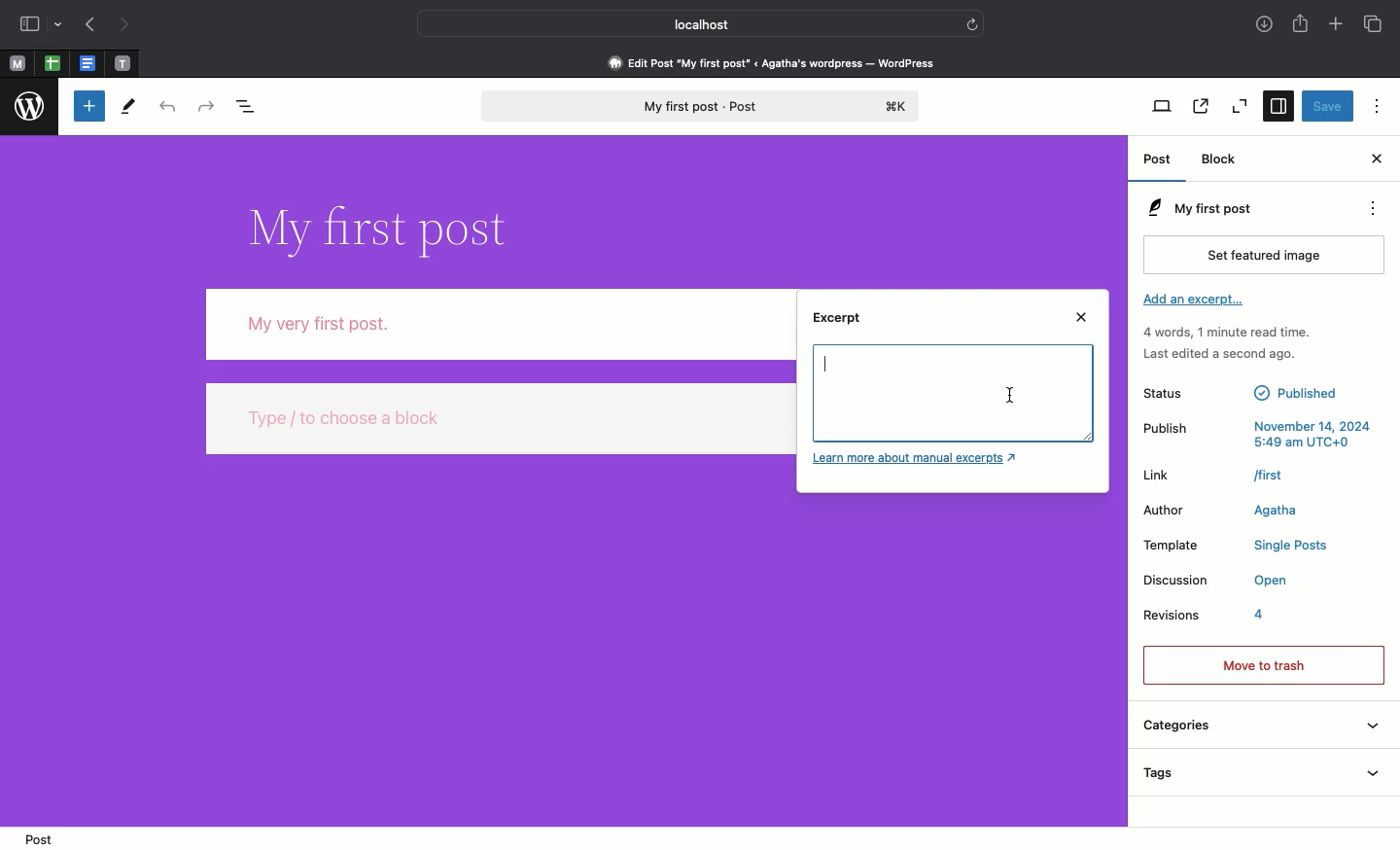 The width and height of the screenshot is (1400, 850). What do you see at coordinates (37, 837) in the screenshot?
I see `Post` at bounding box center [37, 837].